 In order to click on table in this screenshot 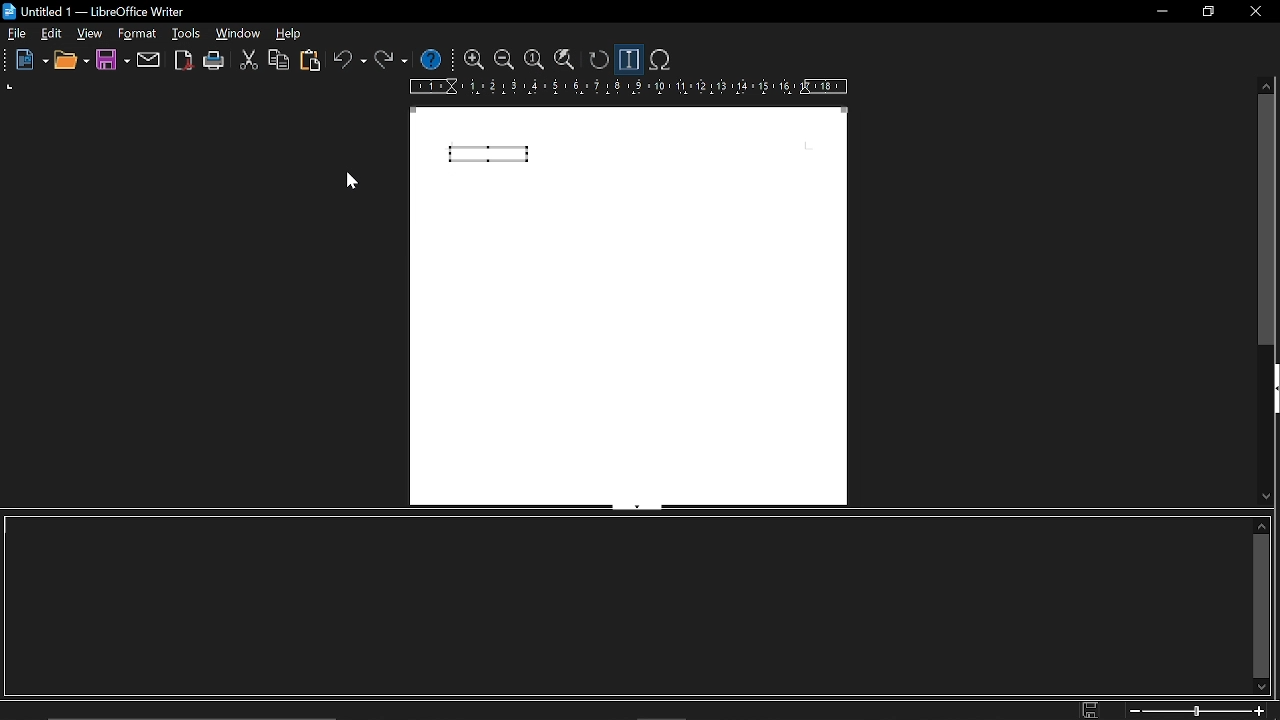, I will do `click(290, 35)`.